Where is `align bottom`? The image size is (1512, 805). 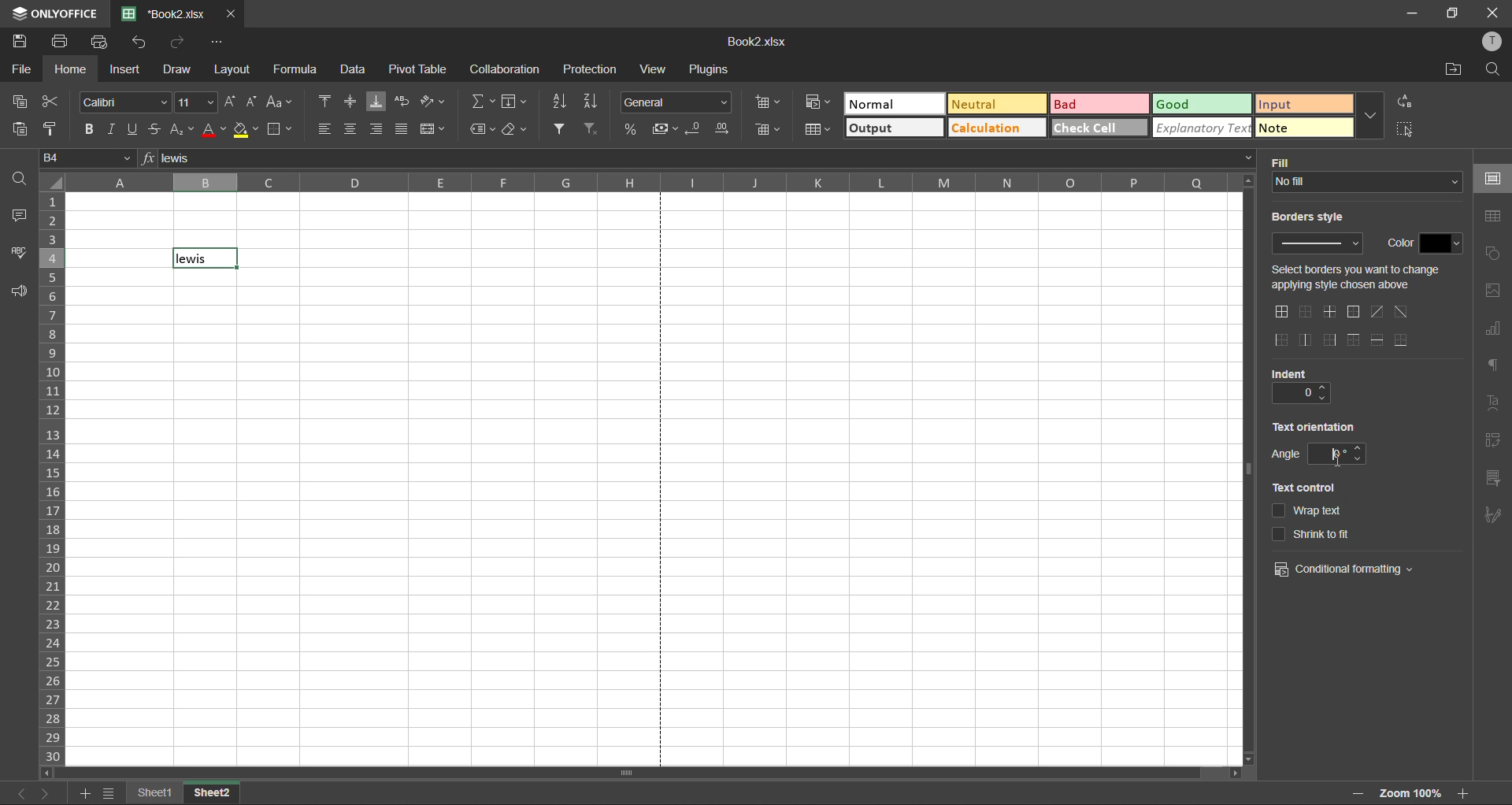
align bottom is located at coordinates (375, 102).